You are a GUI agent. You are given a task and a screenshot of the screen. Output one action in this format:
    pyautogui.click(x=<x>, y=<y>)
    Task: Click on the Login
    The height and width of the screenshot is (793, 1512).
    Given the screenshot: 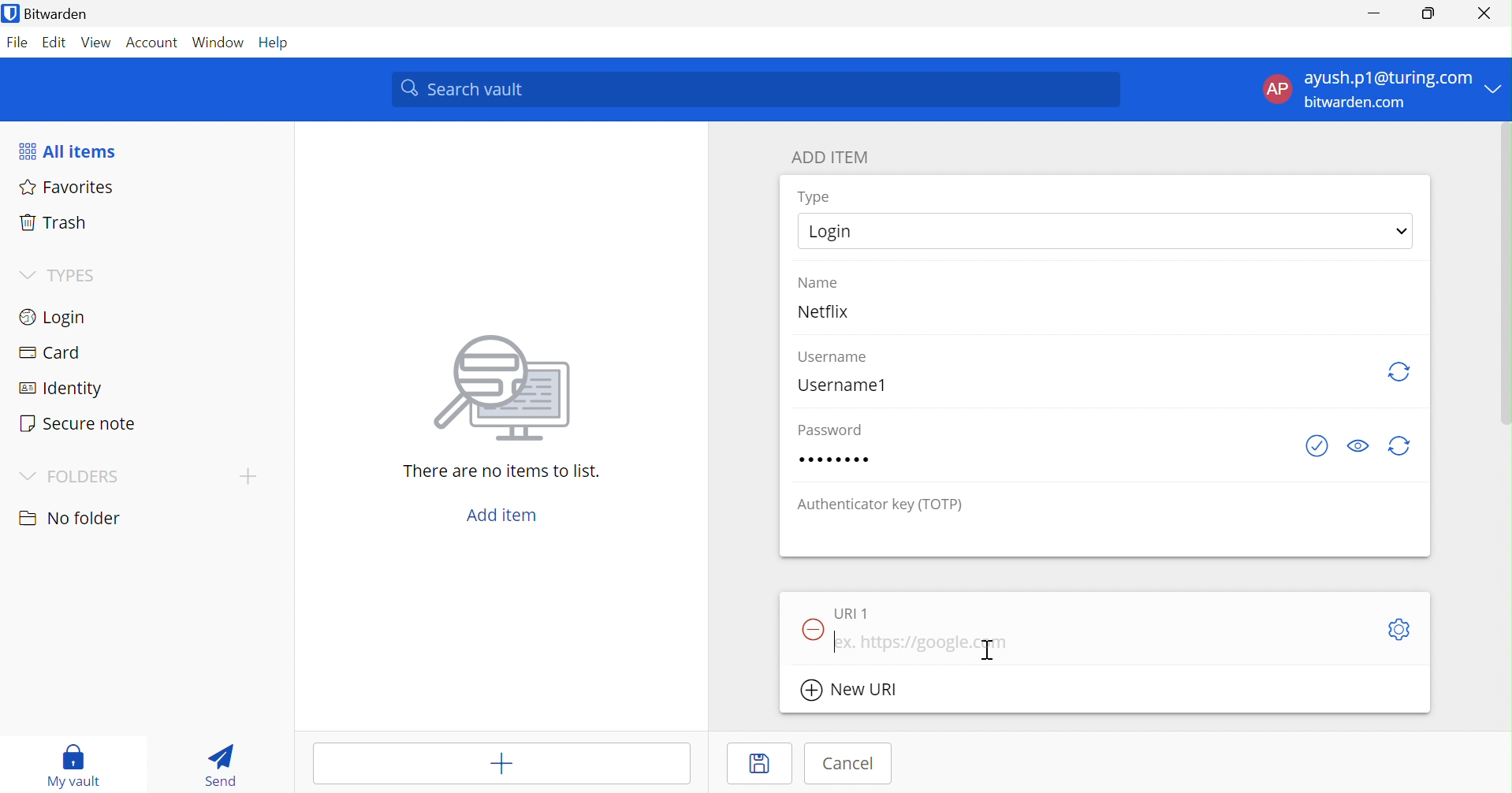 What is the action you would take?
    pyautogui.click(x=56, y=316)
    